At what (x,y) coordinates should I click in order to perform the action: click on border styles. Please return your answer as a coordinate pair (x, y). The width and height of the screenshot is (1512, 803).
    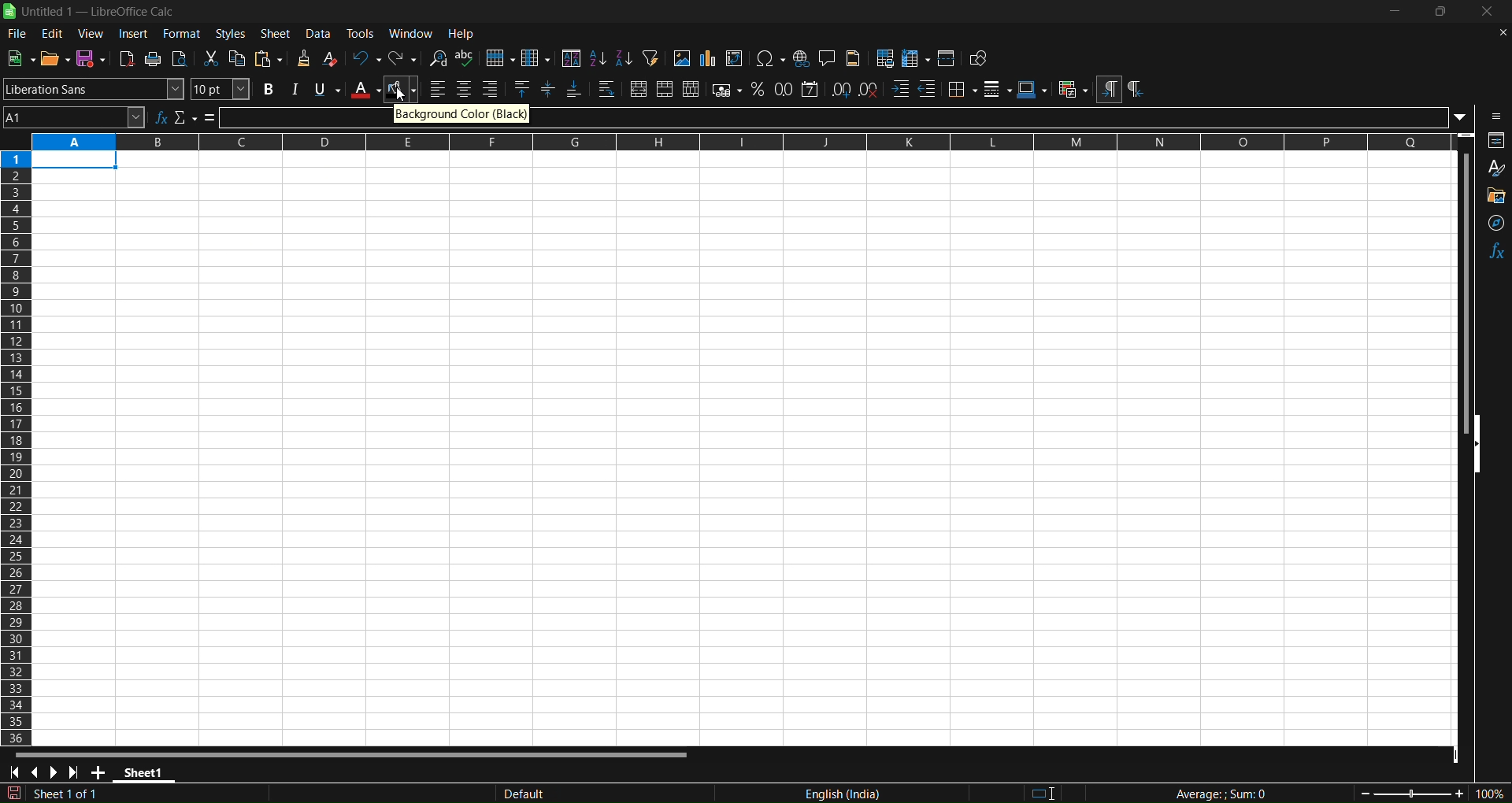
    Looking at the image, I should click on (999, 89).